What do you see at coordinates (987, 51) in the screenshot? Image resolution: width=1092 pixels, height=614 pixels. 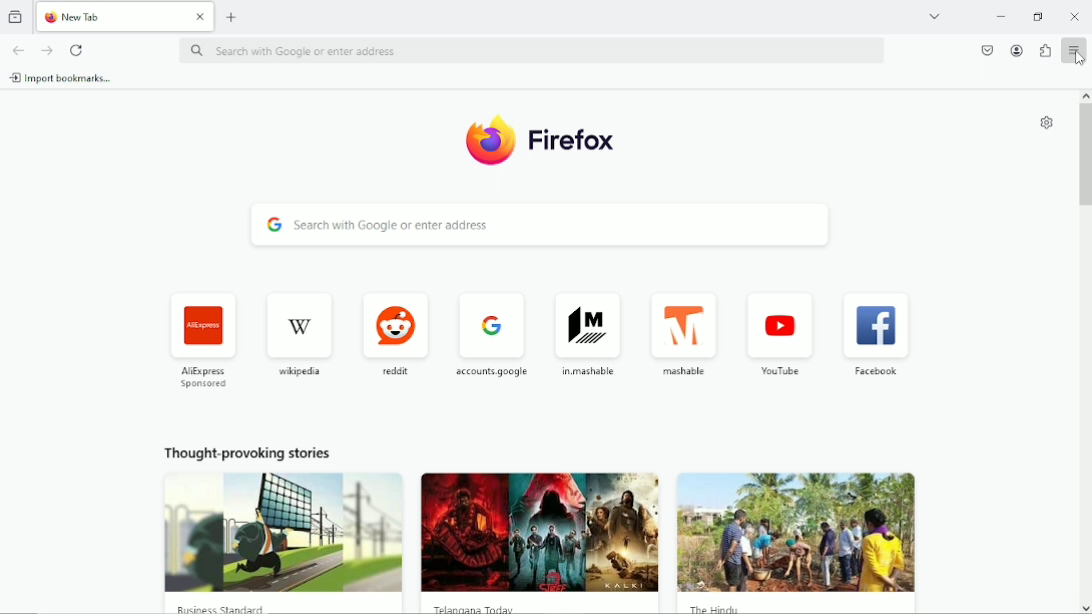 I see `save to pocket` at bounding box center [987, 51].